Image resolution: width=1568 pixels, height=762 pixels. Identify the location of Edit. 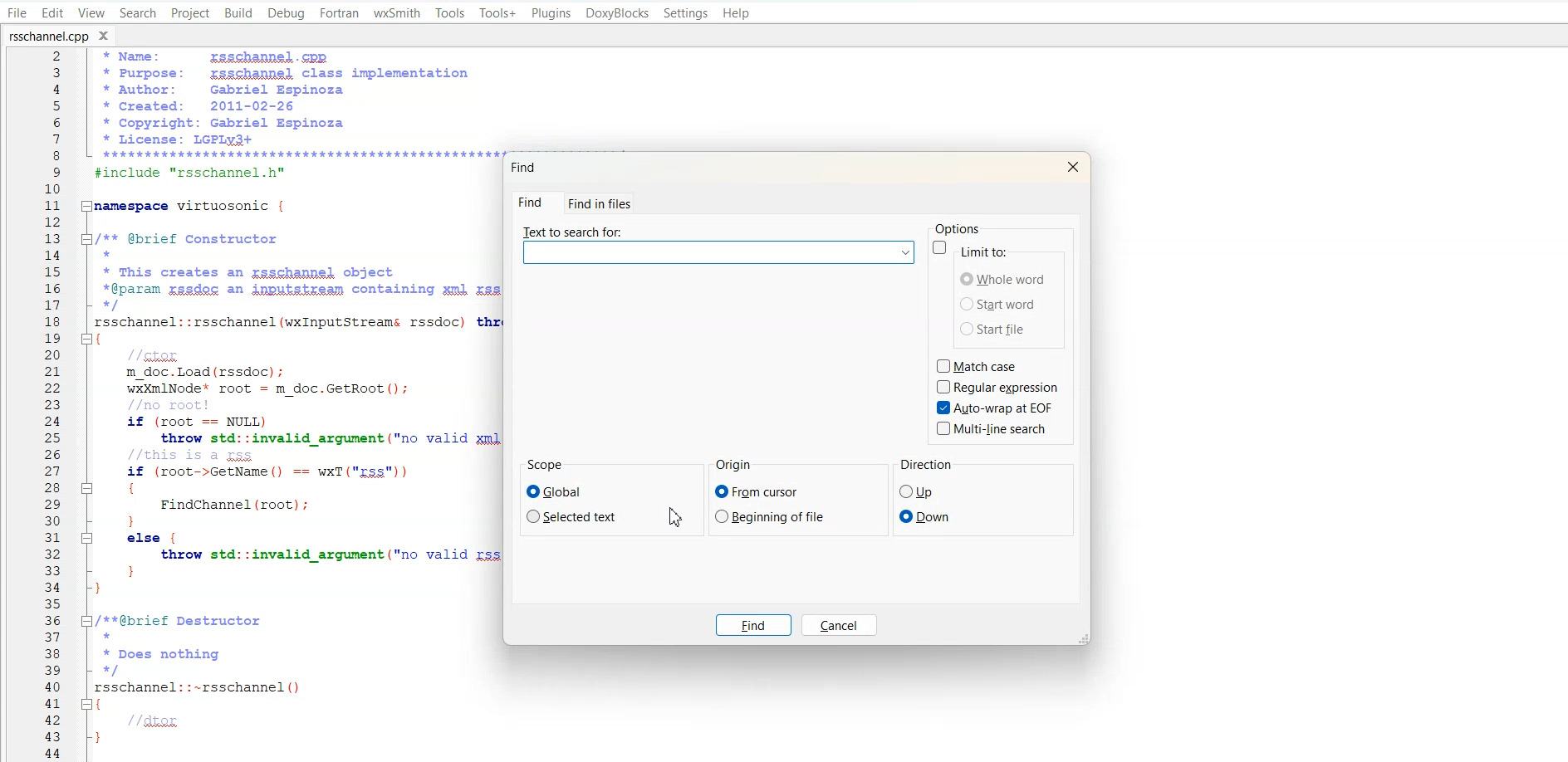
(51, 12).